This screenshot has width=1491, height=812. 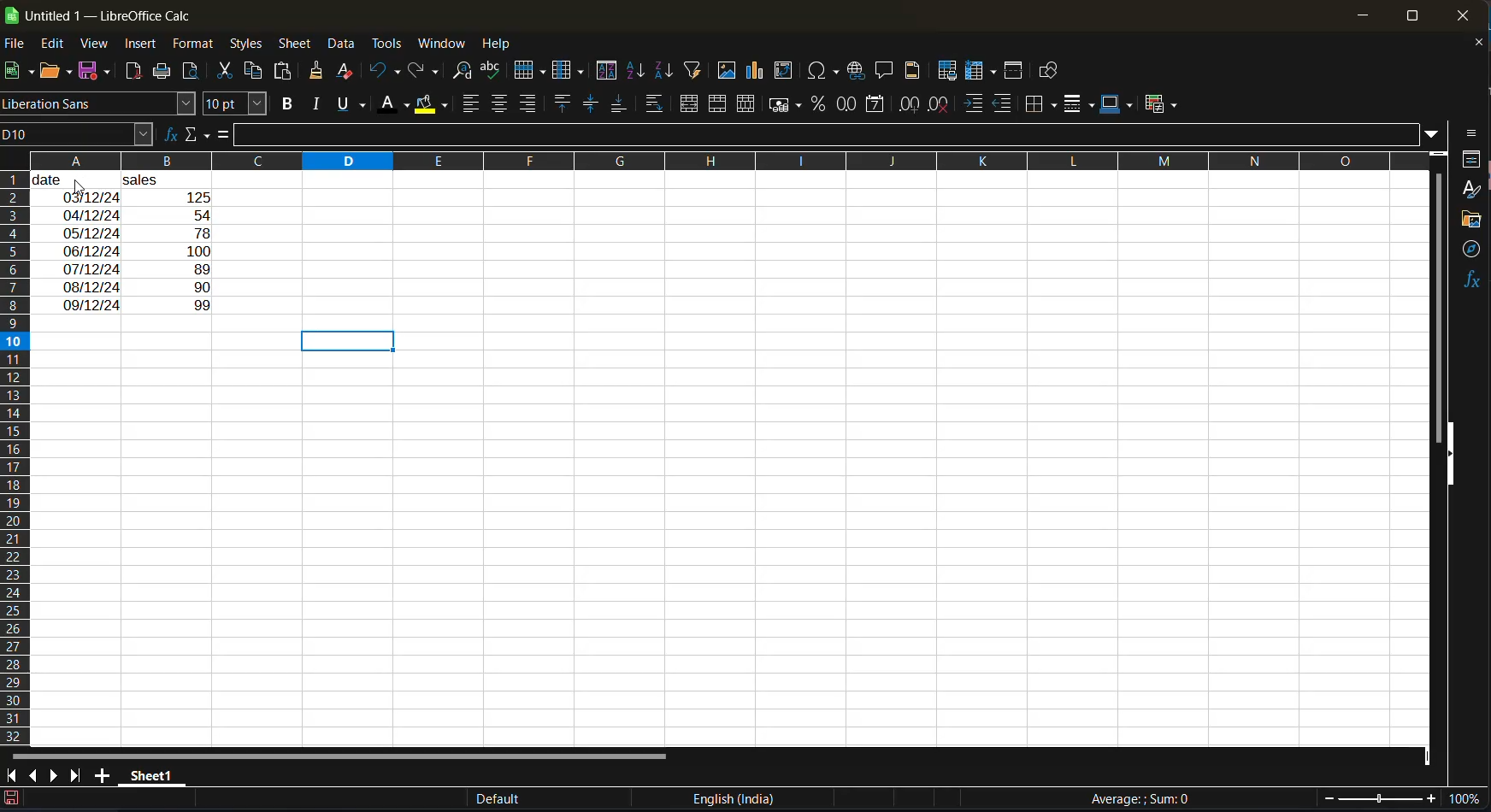 What do you see at coordinates (824, 132) in the screenshot?
I see `input line` at bounding box center [824, 132].